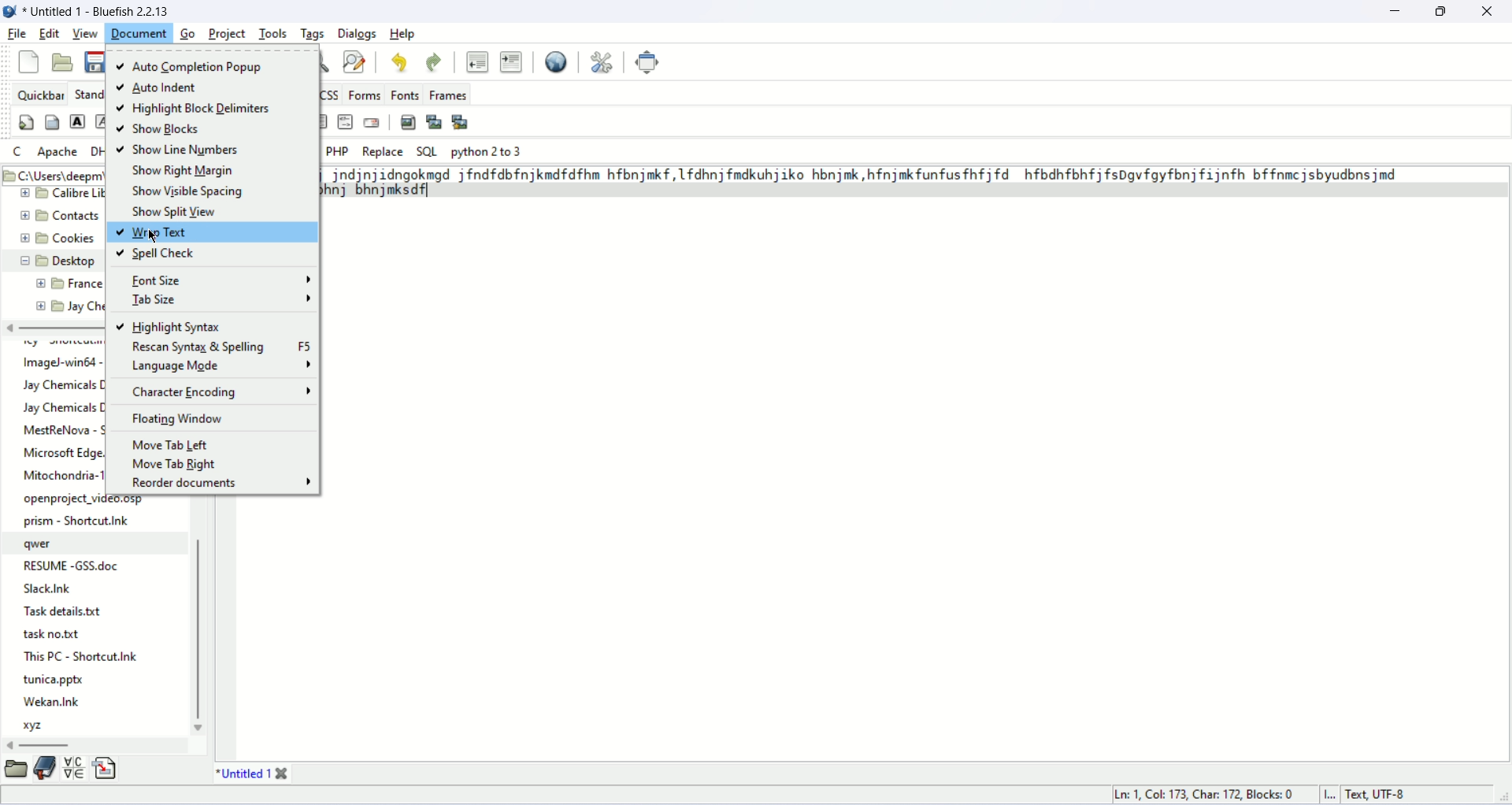 The width and height of the screenshot is (1512, 805). I want to click on body, so click(53, 122).